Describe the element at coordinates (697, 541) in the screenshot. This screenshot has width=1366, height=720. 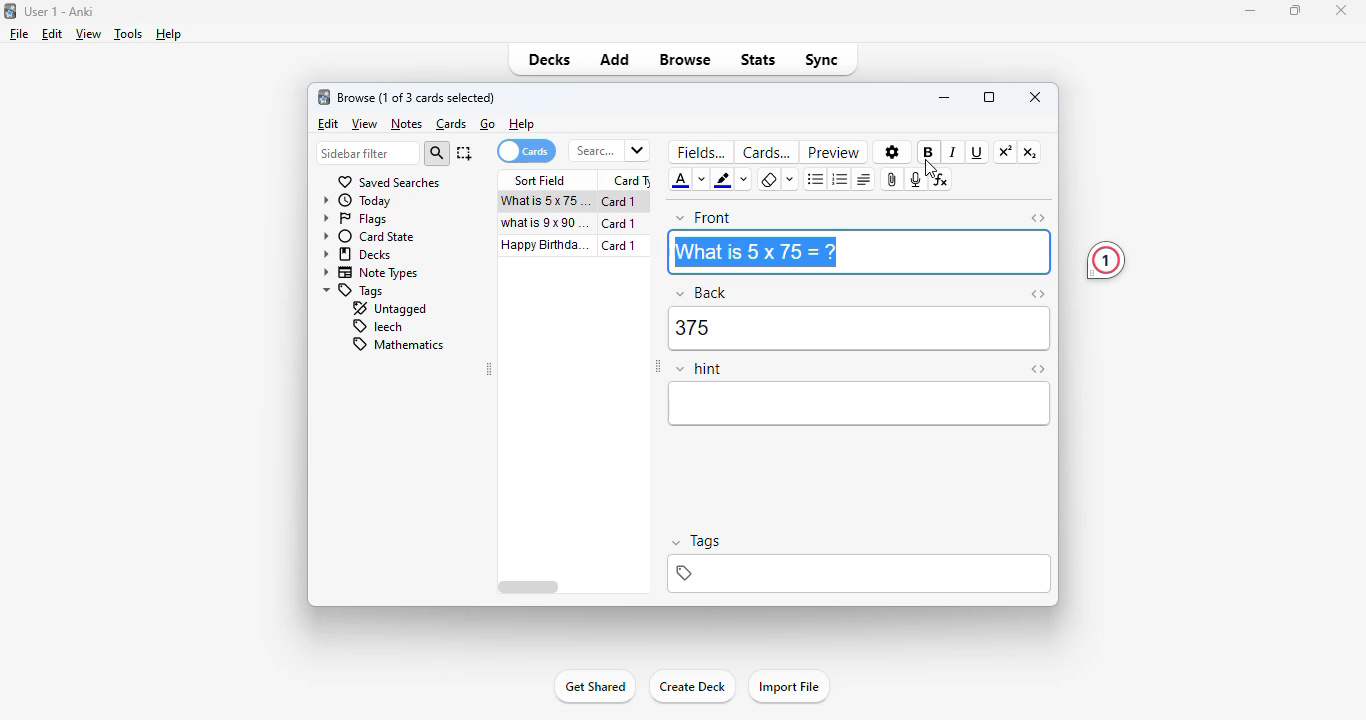
I see `tags` at that location.